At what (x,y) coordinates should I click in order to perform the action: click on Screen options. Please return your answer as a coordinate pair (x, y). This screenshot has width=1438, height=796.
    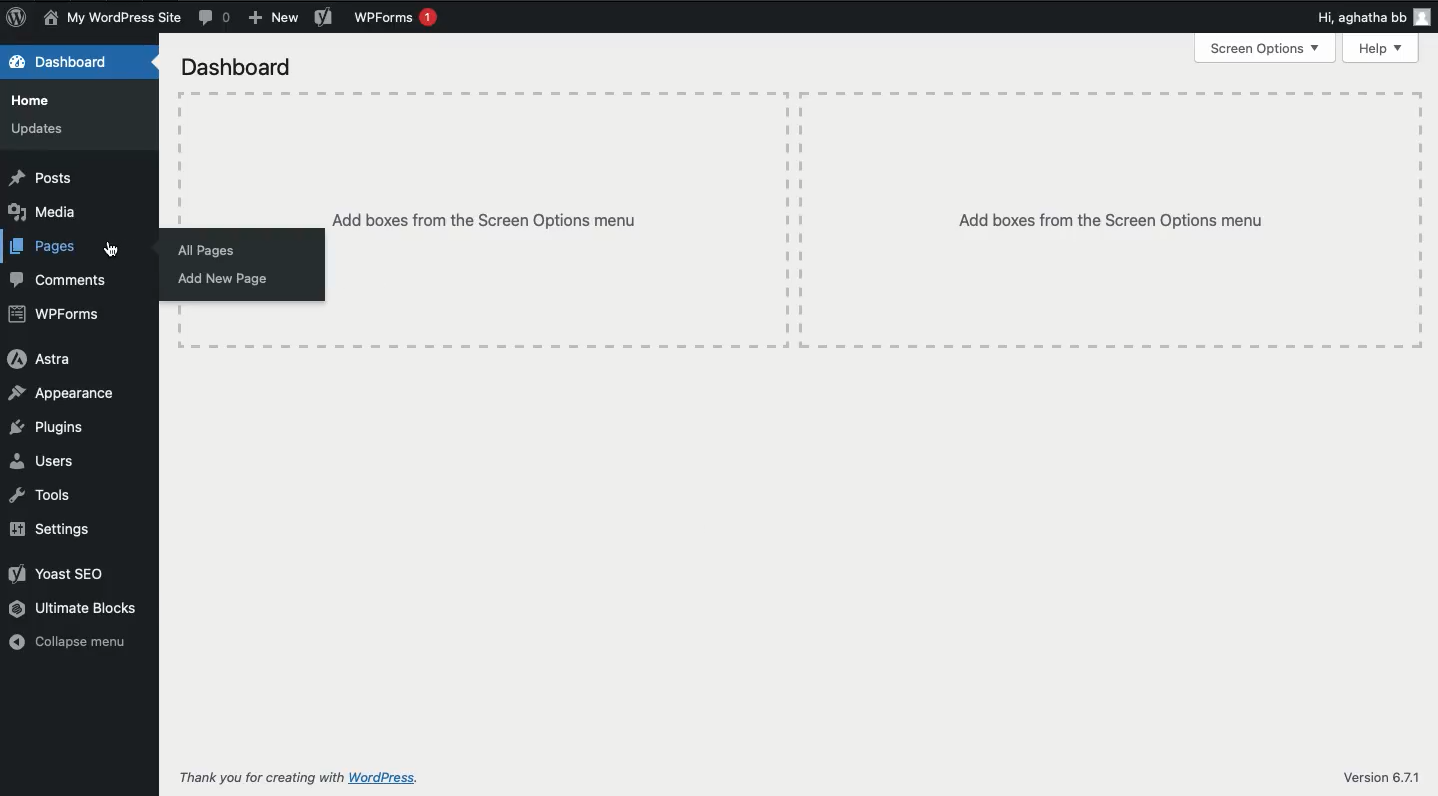
    Looking at the image, I should click on (1265, 47).